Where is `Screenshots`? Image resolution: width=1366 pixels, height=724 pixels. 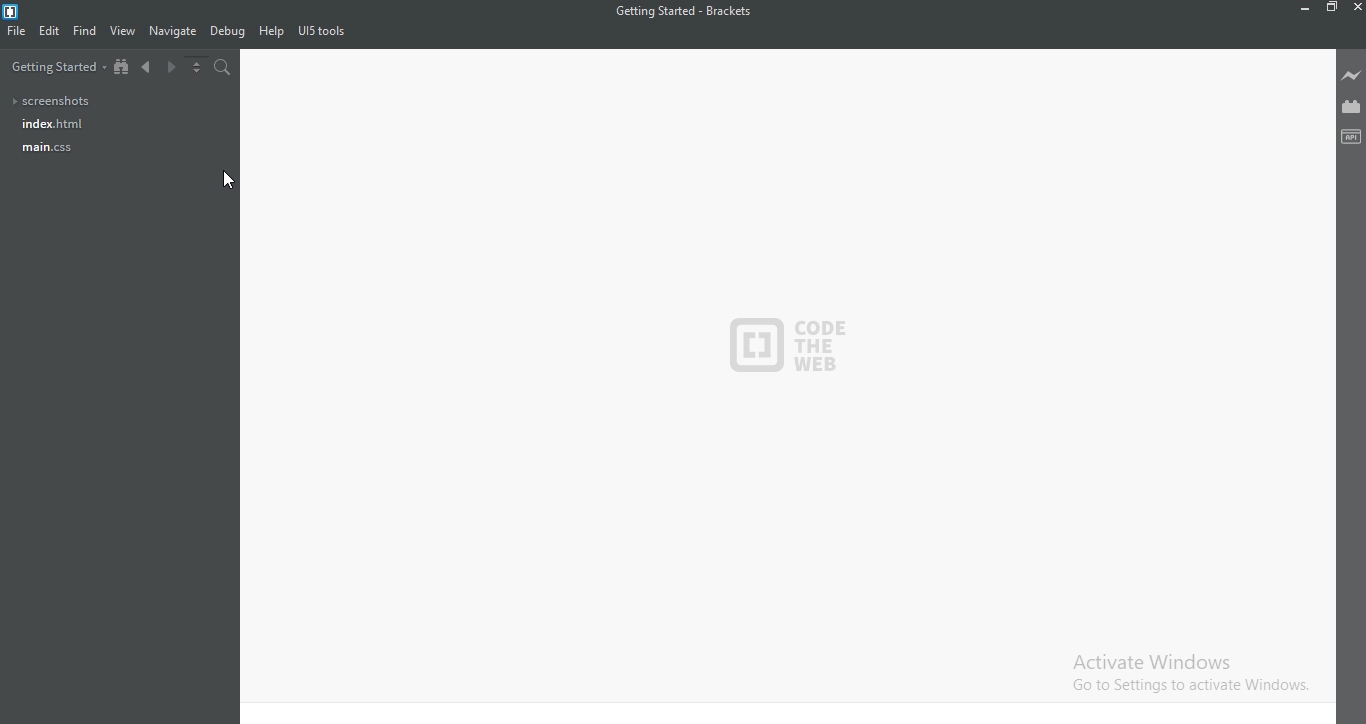
Screenshots is located at coordinates (57, 98).